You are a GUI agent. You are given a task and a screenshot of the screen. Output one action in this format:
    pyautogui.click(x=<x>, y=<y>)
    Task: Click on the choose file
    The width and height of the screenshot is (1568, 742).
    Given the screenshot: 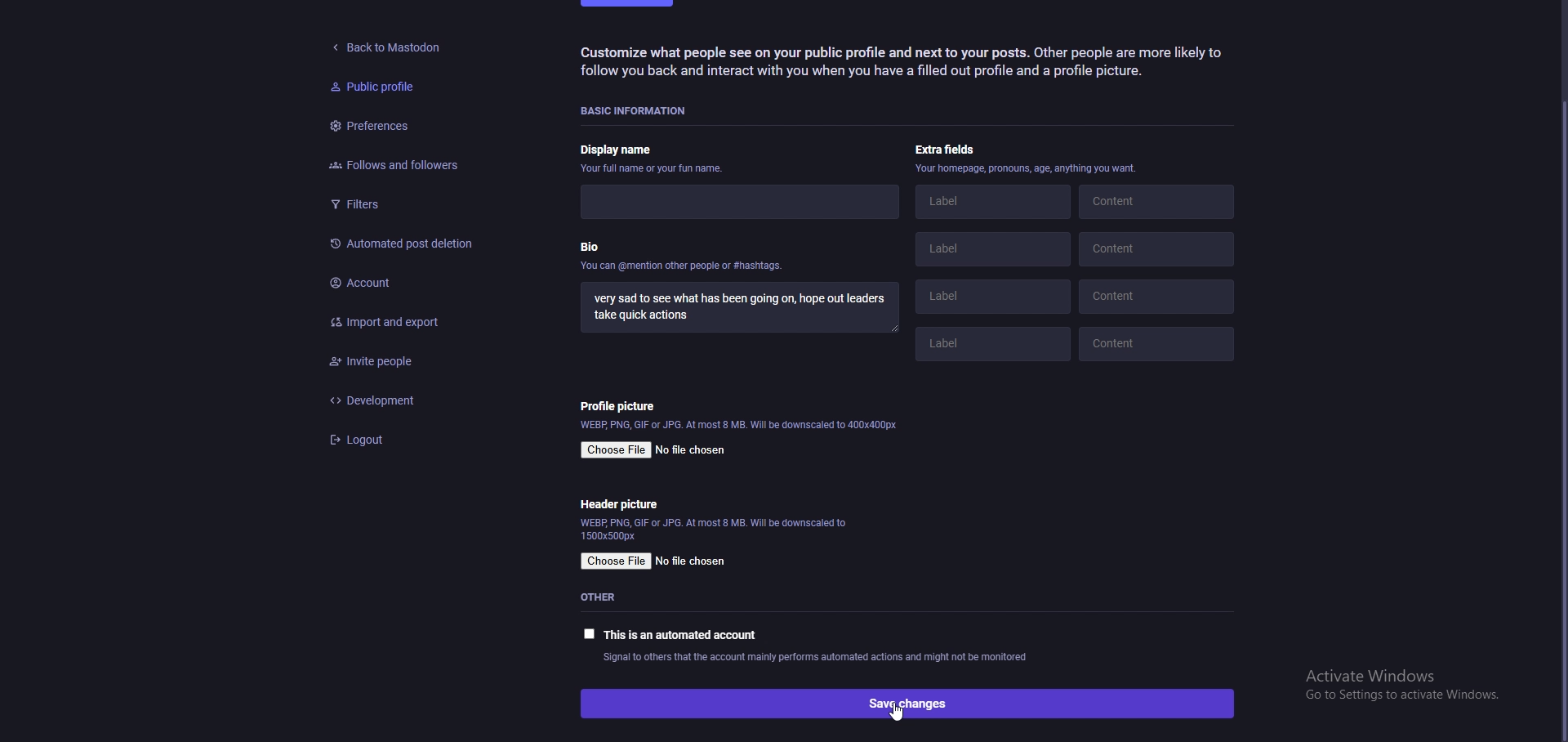 What is the action you would take?
    pyautogui.click(x=616, y=450)
    